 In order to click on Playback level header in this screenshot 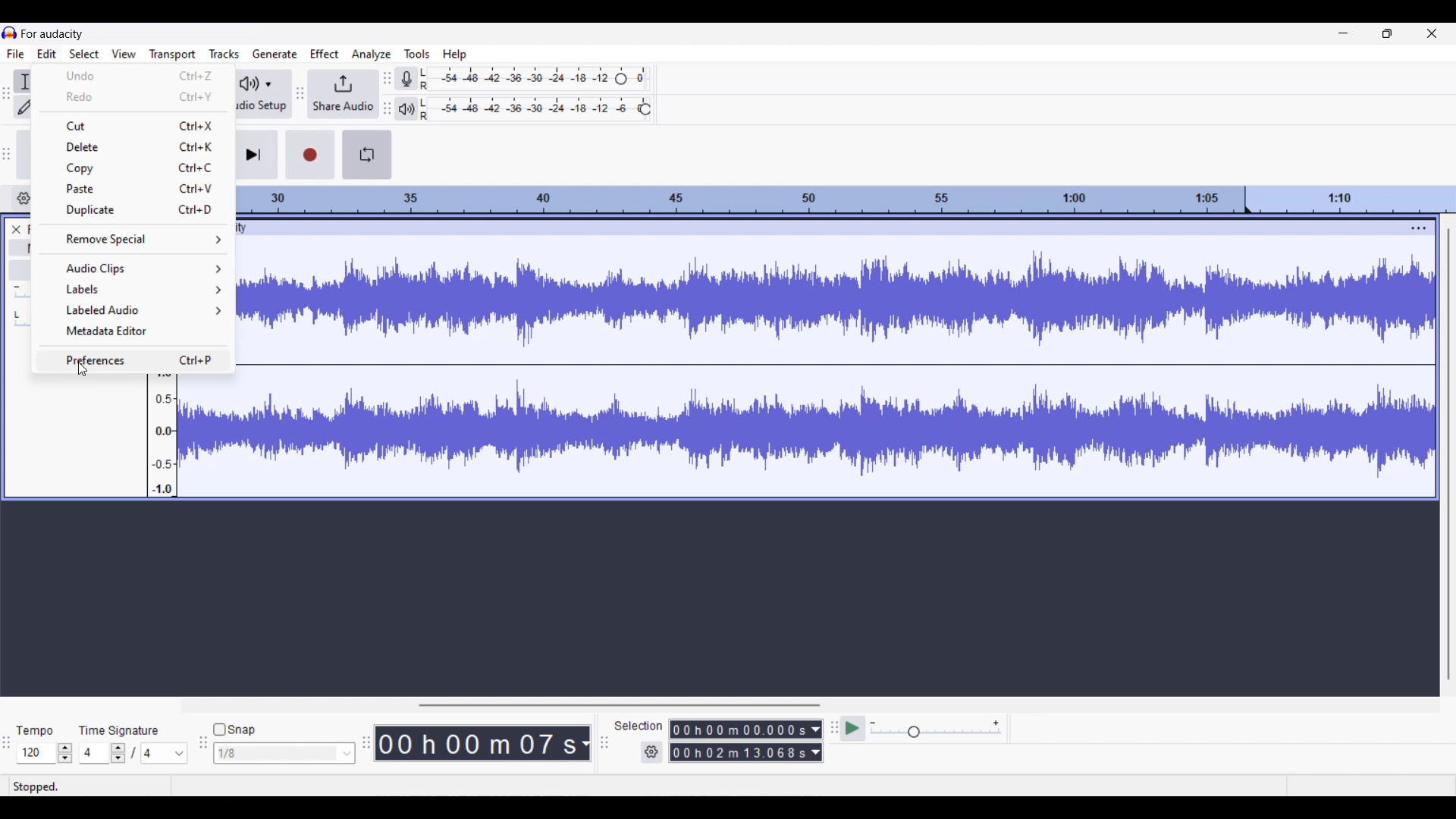, I will do `click(645, 109)`.